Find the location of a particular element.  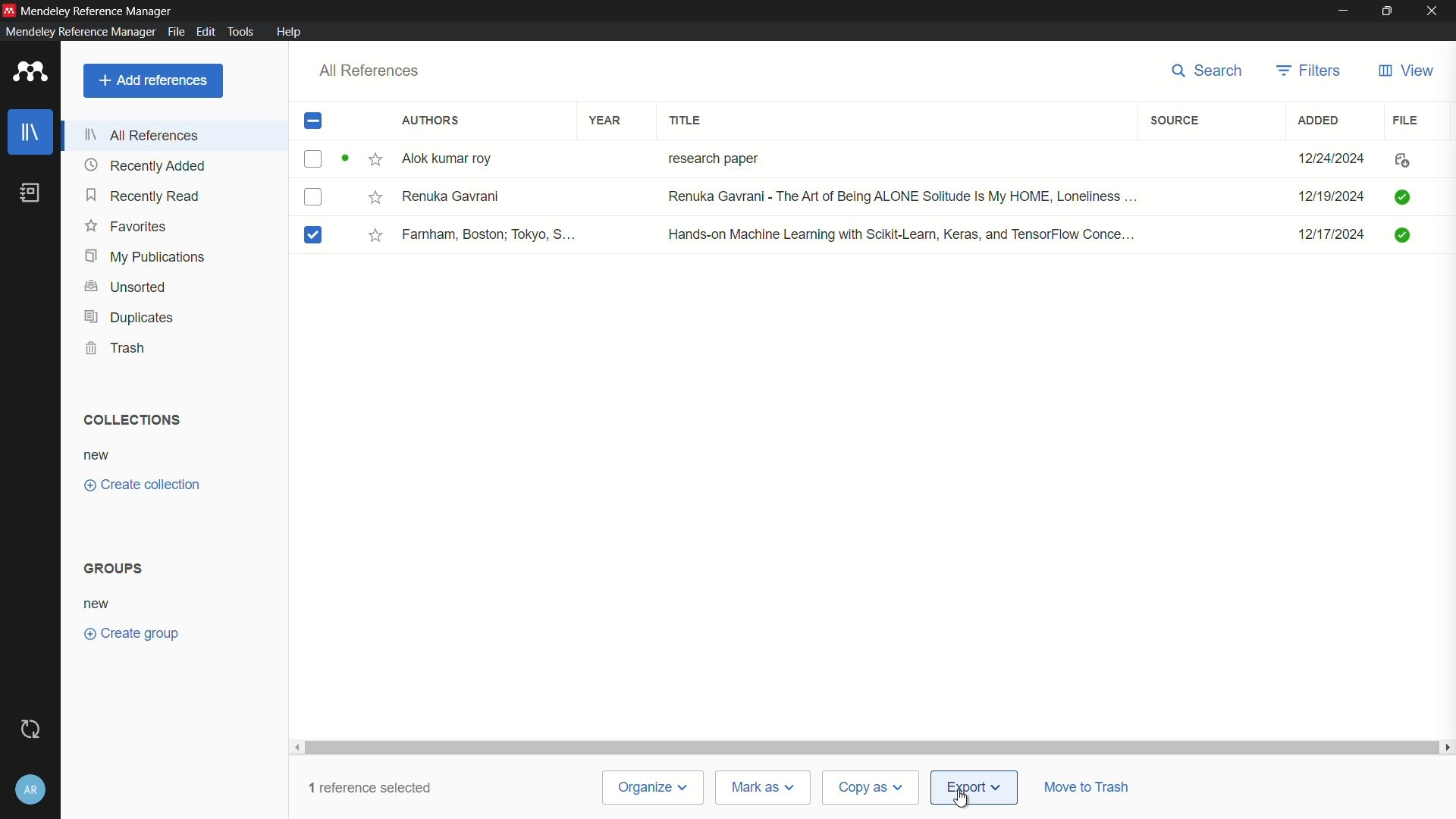

favorites is located at coordinates (127, 225).